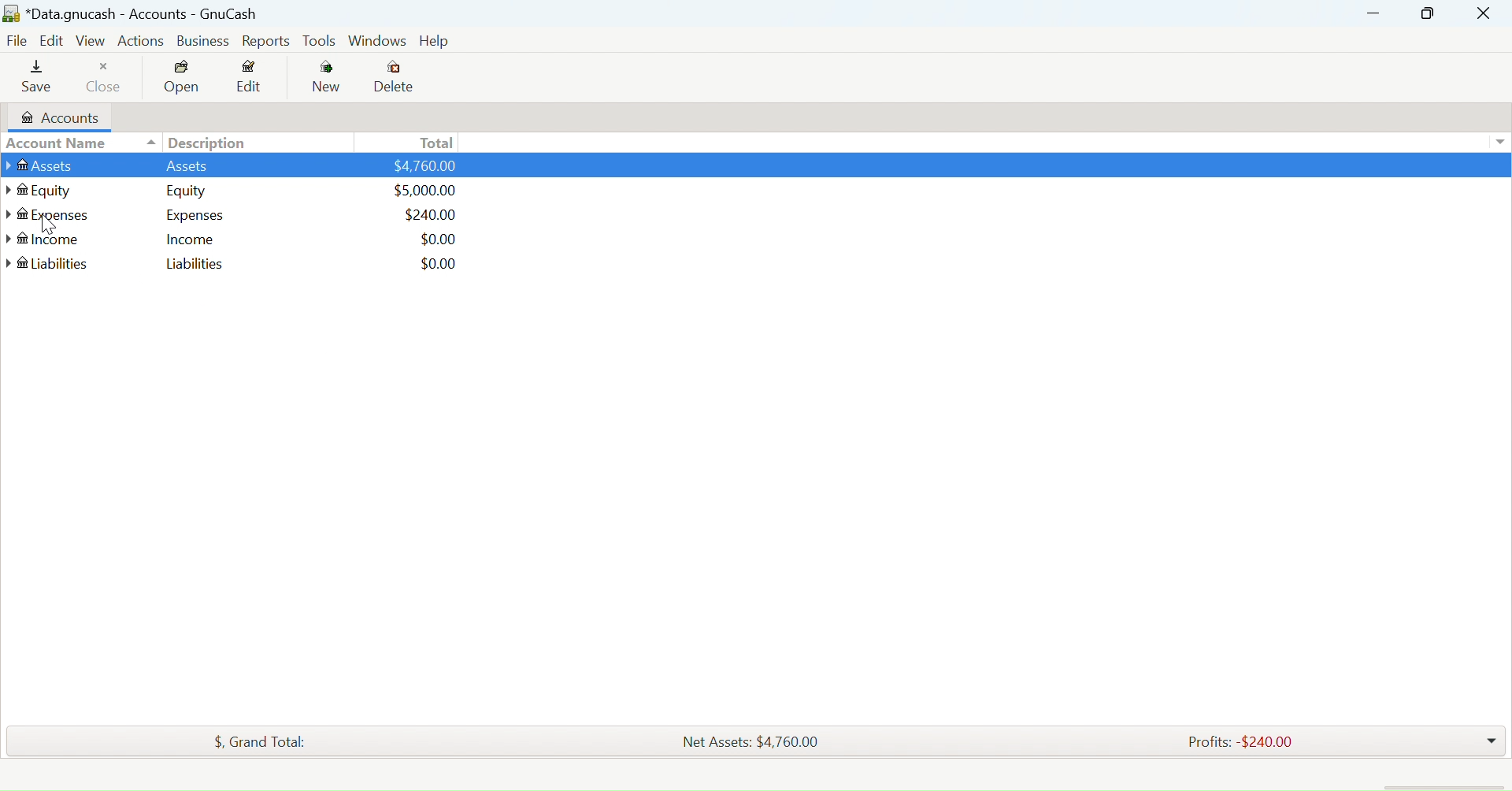  I want to click on Cursor Position, so click(48, 223).